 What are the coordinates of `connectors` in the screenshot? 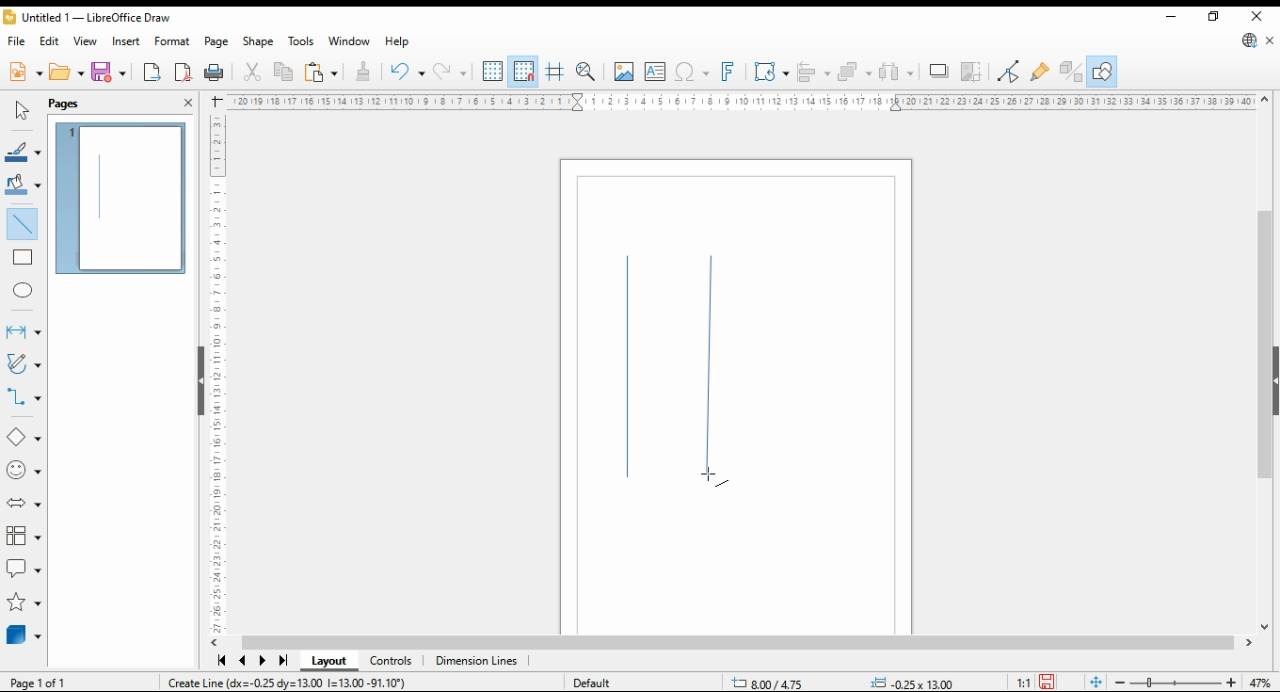 It's located at (24, 397).